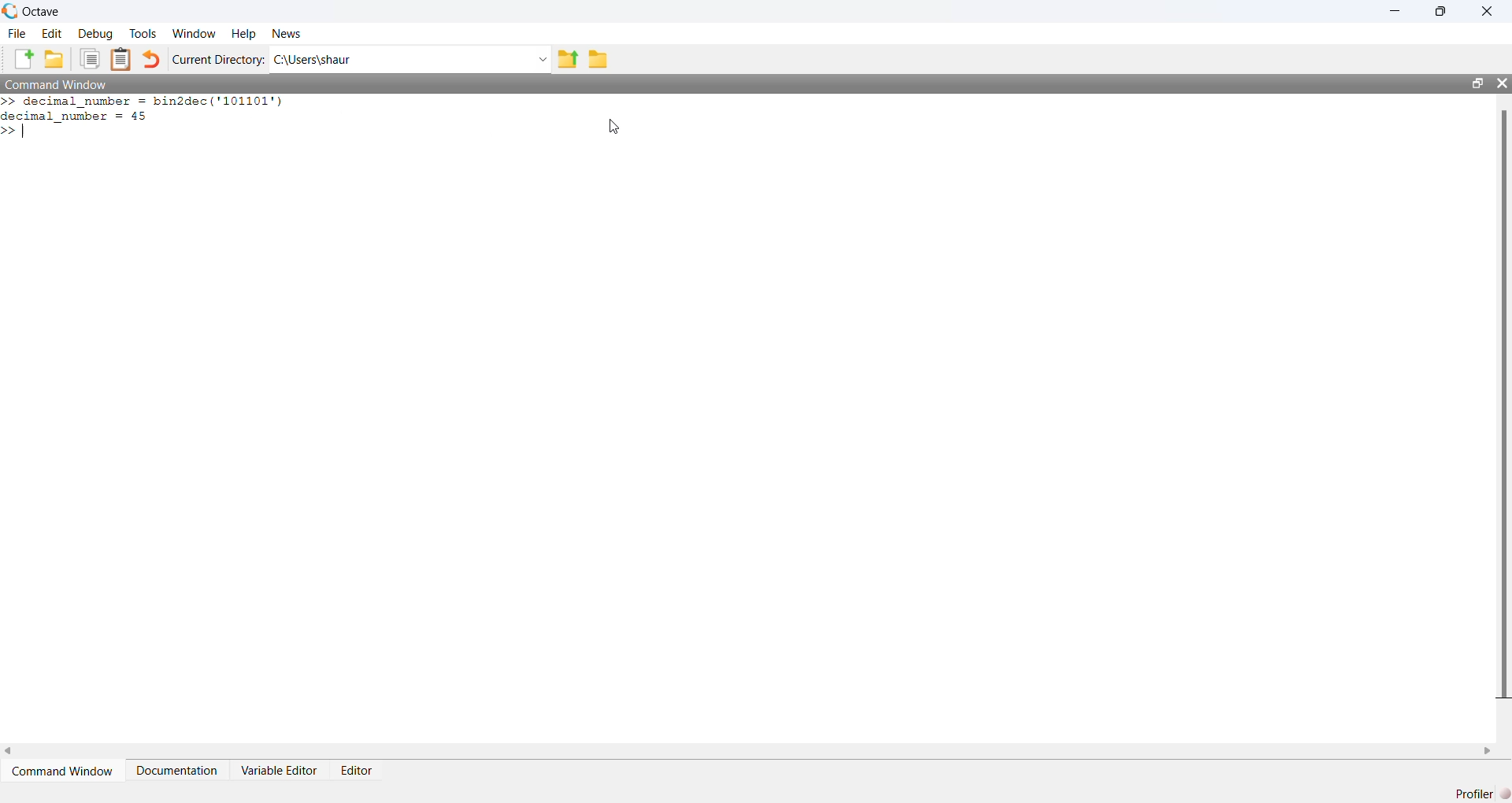  I want to click on window, so click(196, 33).